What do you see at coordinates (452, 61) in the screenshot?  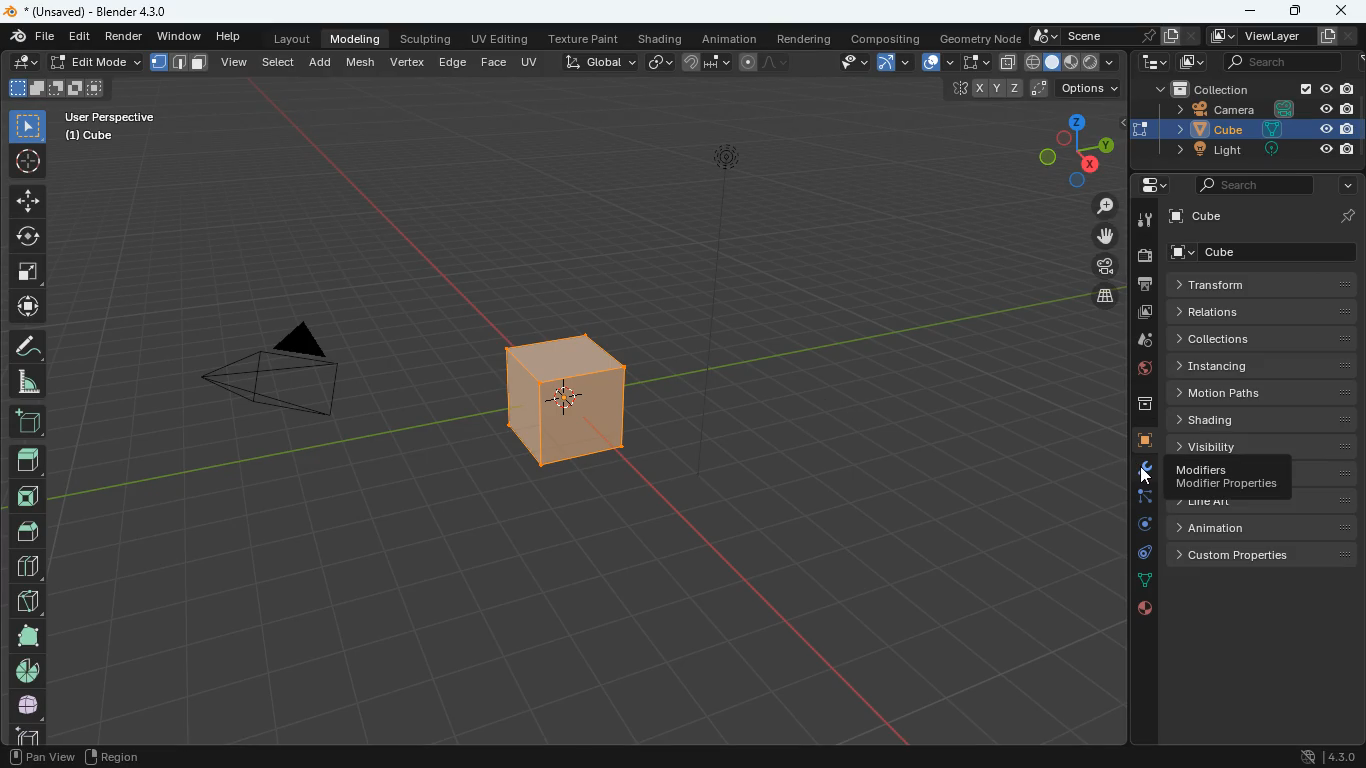 I see `edge` at bounding box center [452, 61].